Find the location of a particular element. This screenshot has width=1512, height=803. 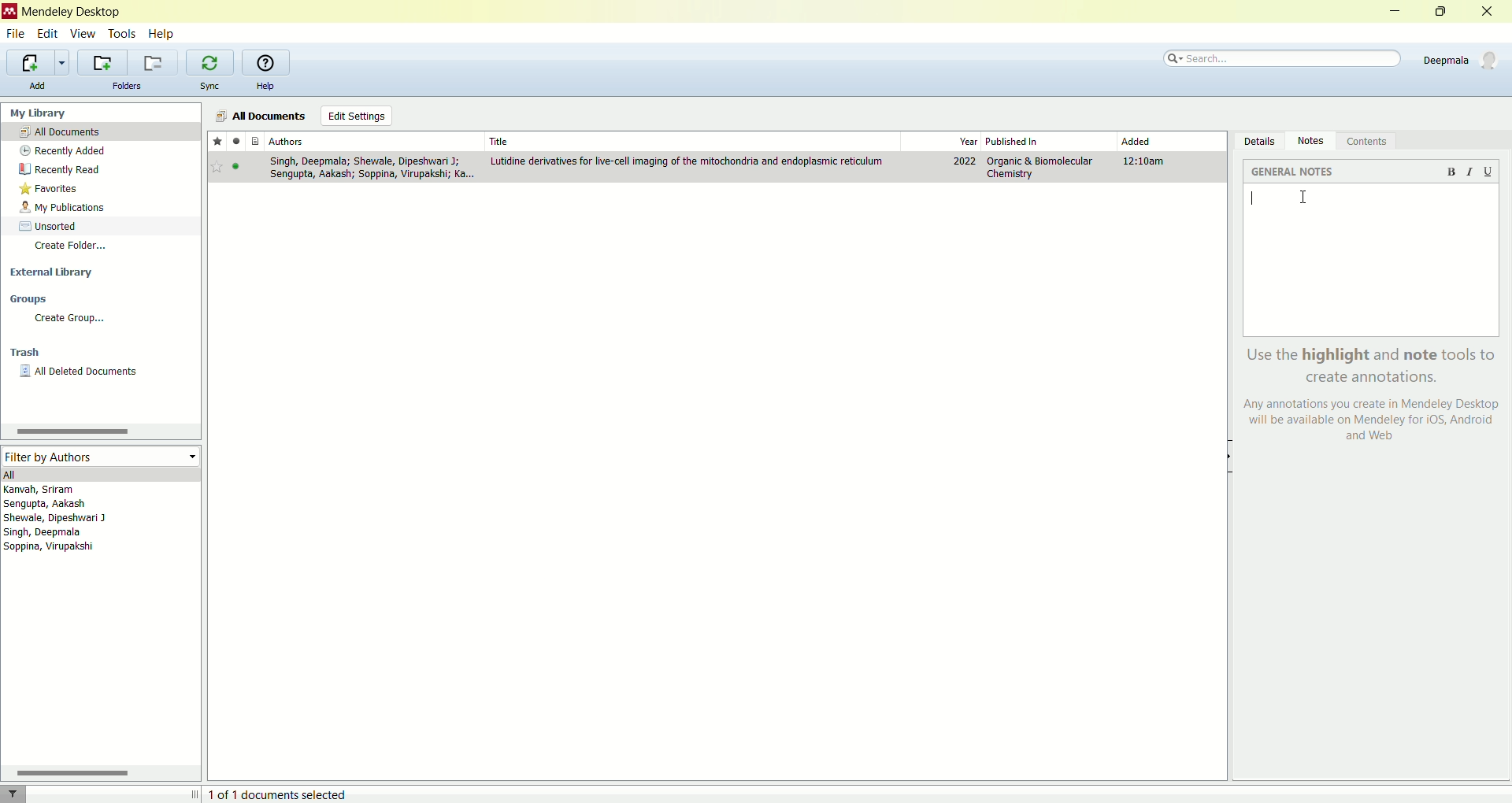

all documnets is located at coordinates (261, 115).